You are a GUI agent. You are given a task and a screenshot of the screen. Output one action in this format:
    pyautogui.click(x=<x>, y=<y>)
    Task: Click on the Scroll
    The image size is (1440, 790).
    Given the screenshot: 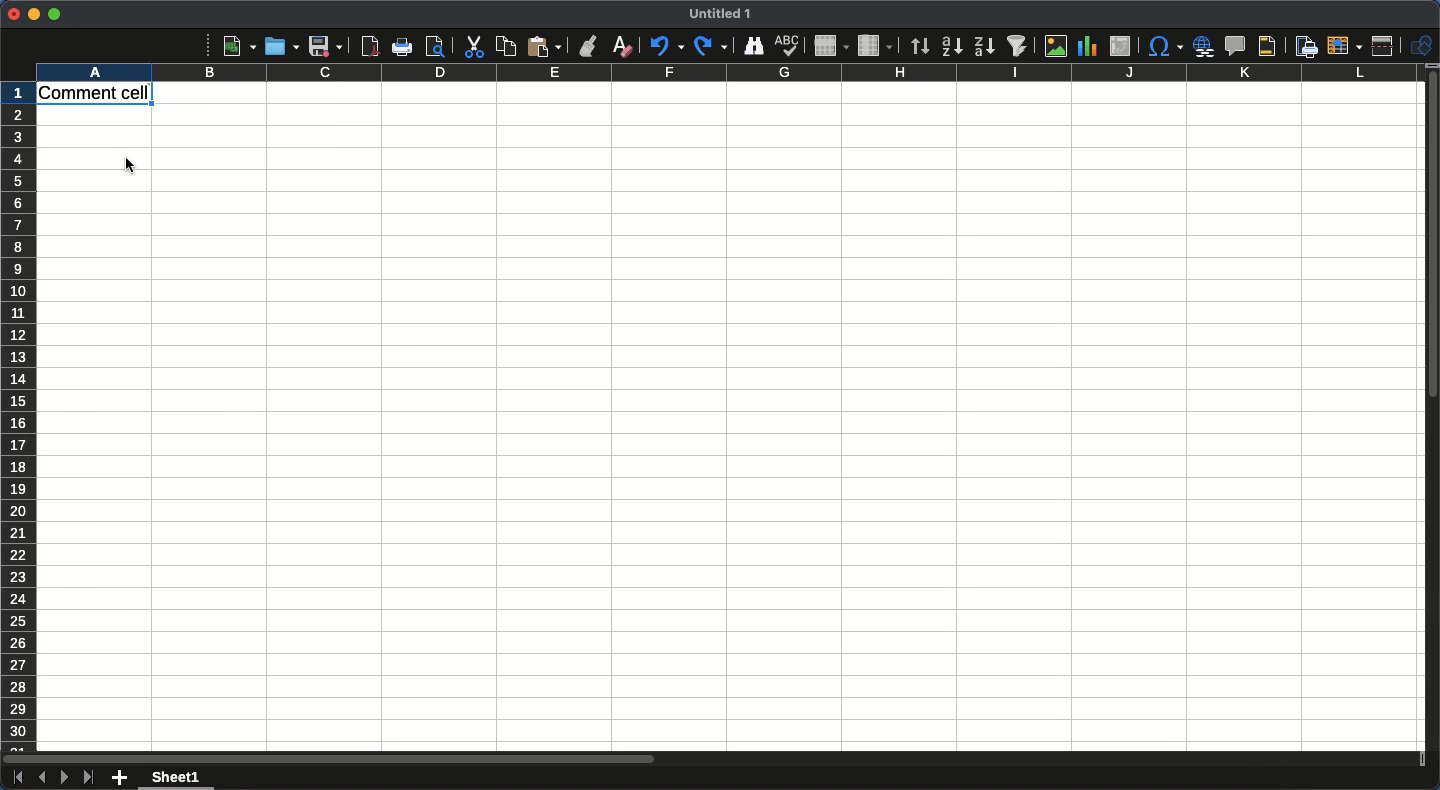 What is the action you would take?
    pyautogui.click(x=1431, y=402)
    